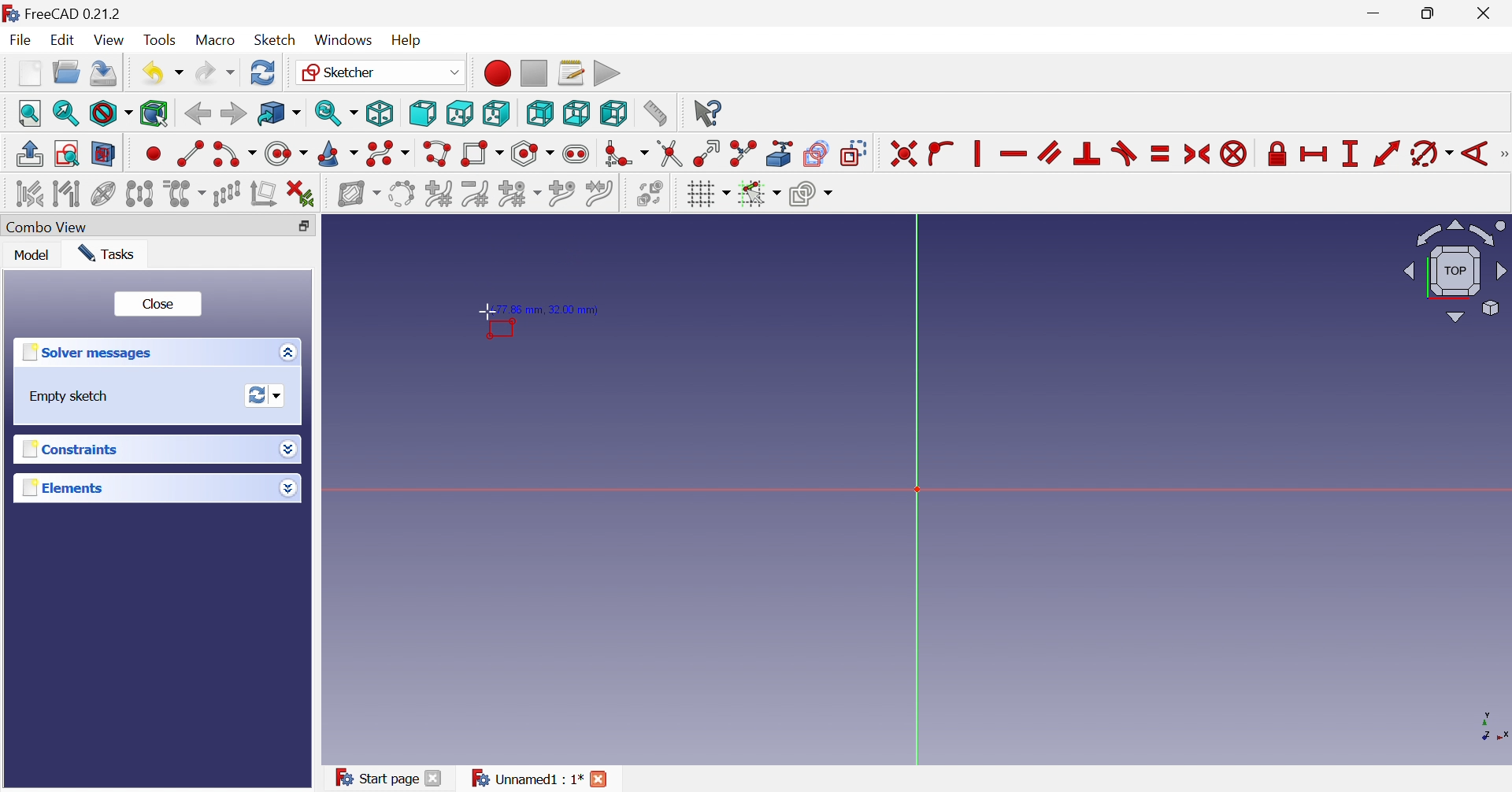  Describe the element at coordinates (781, 153) in the screenshot. I see `Create external geometry` at that location.